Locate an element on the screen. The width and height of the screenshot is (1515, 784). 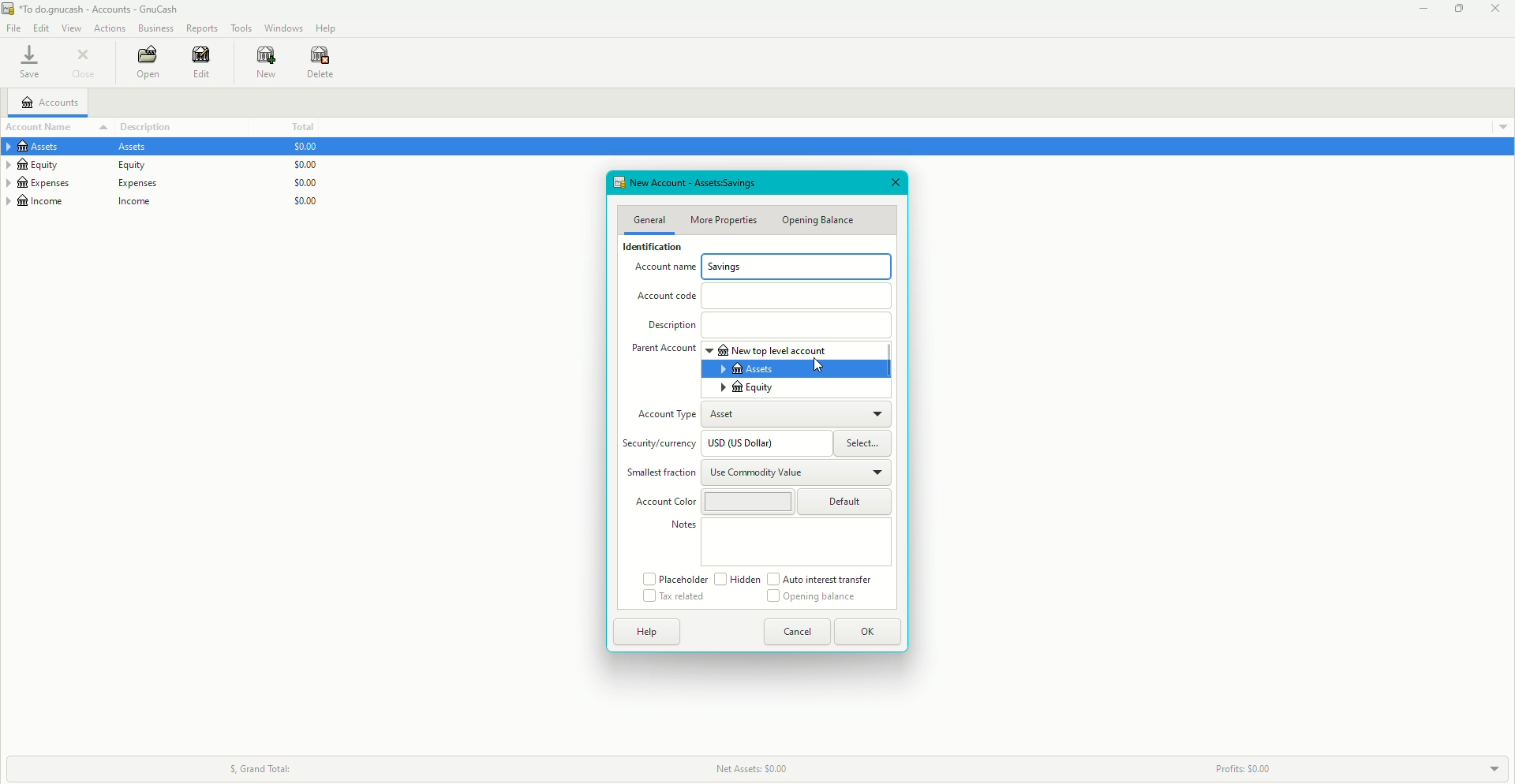
Minimize is located at coordinates (1419, 9).